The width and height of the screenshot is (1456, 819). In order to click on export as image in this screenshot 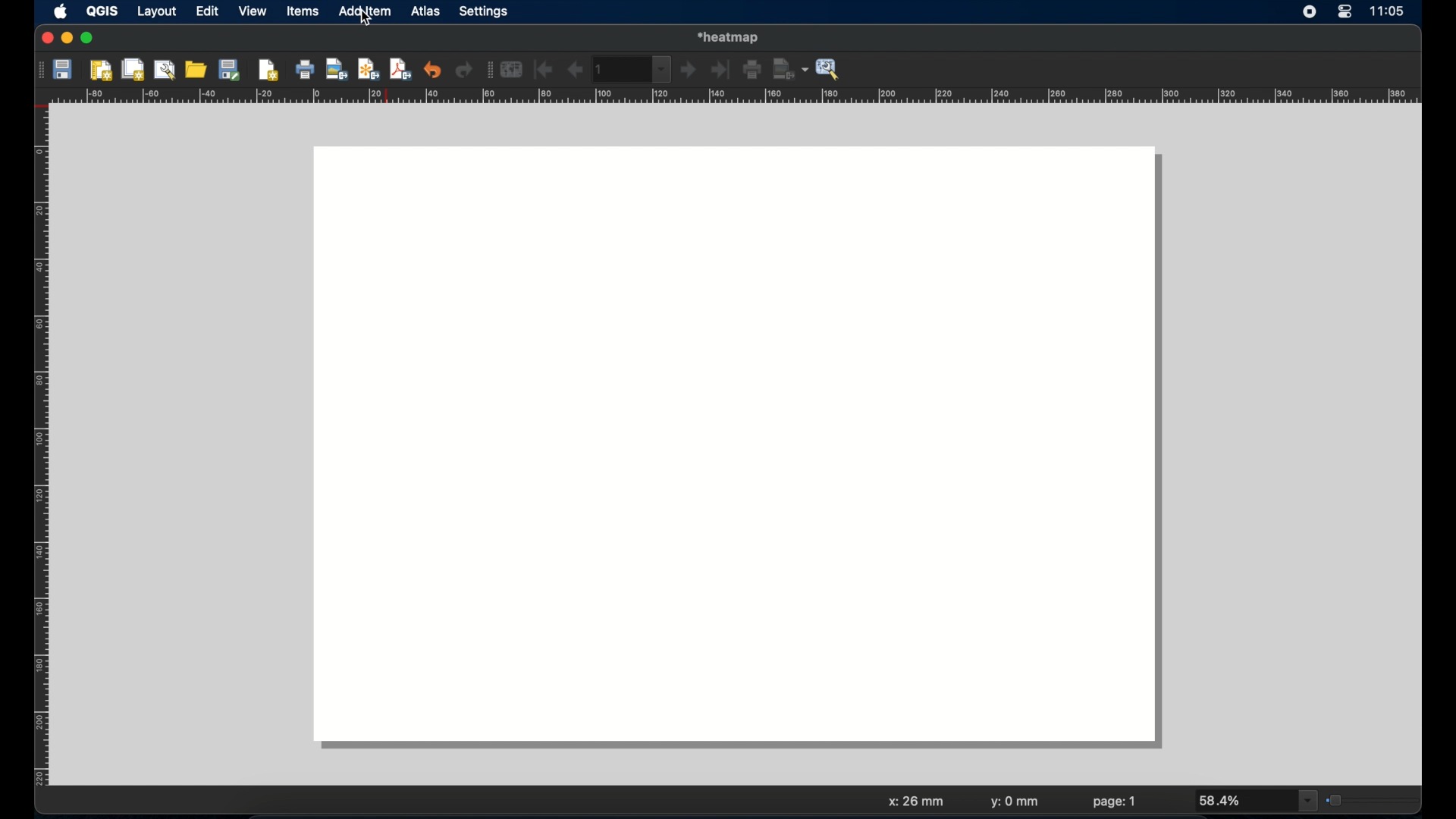, I will do `click(337, 71)`.